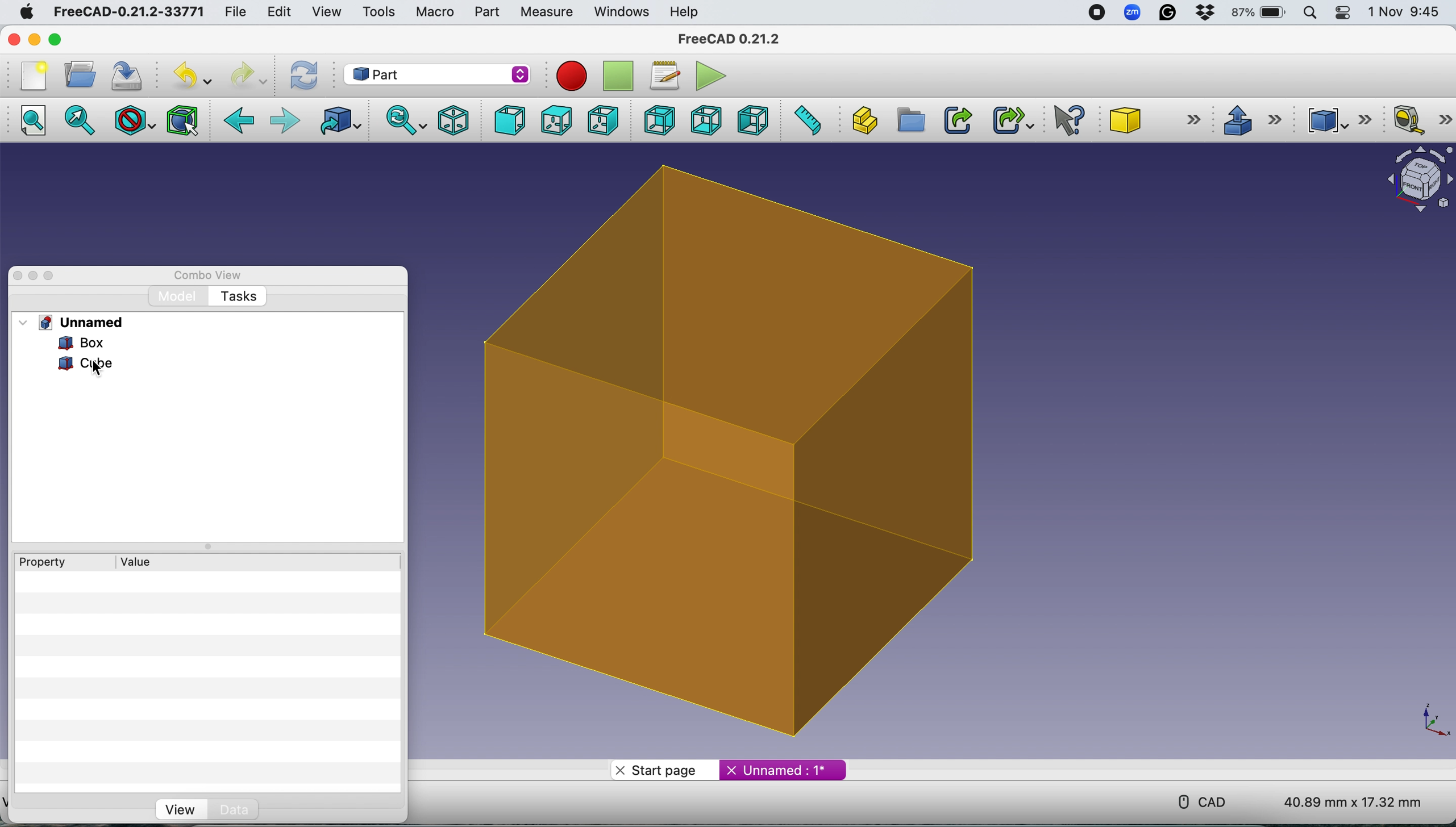  Describe the element at coordinates (622, 12) in the screenshot. I see `Windows` at that location.